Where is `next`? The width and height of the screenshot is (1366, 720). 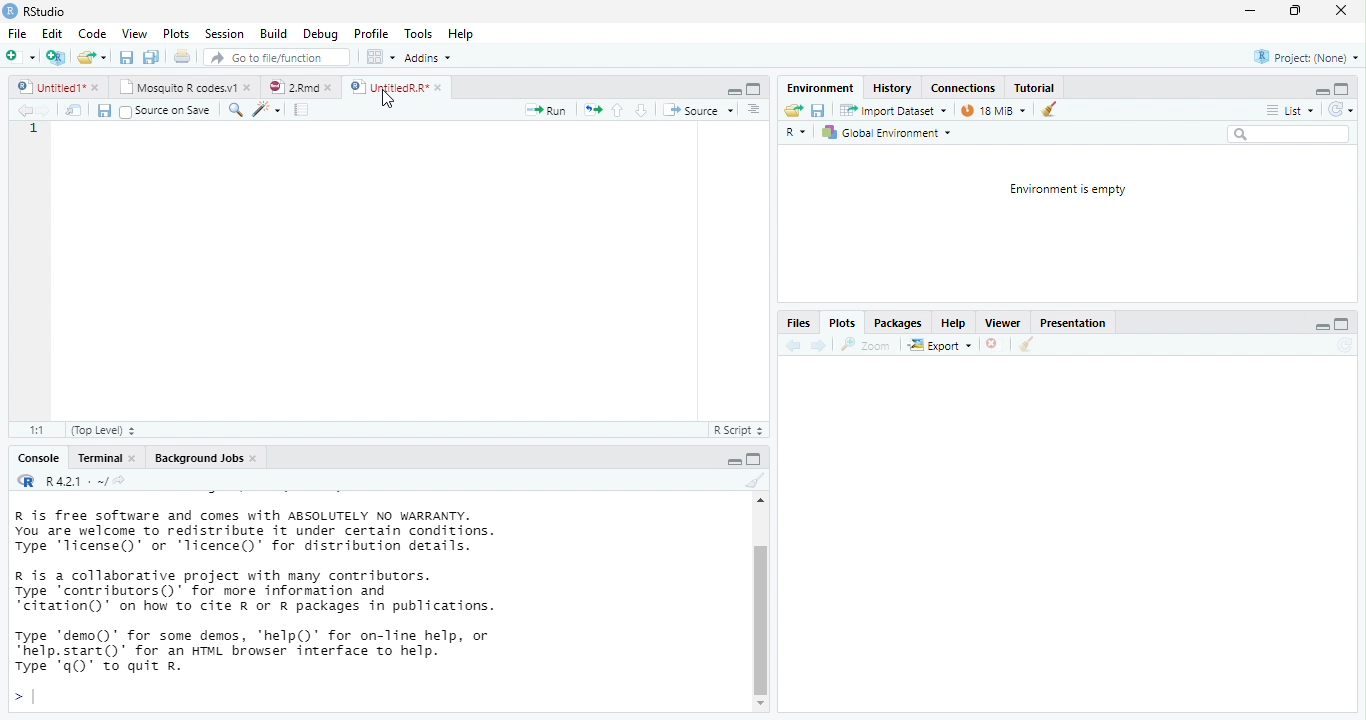
next is located at coordinates (819, 345).